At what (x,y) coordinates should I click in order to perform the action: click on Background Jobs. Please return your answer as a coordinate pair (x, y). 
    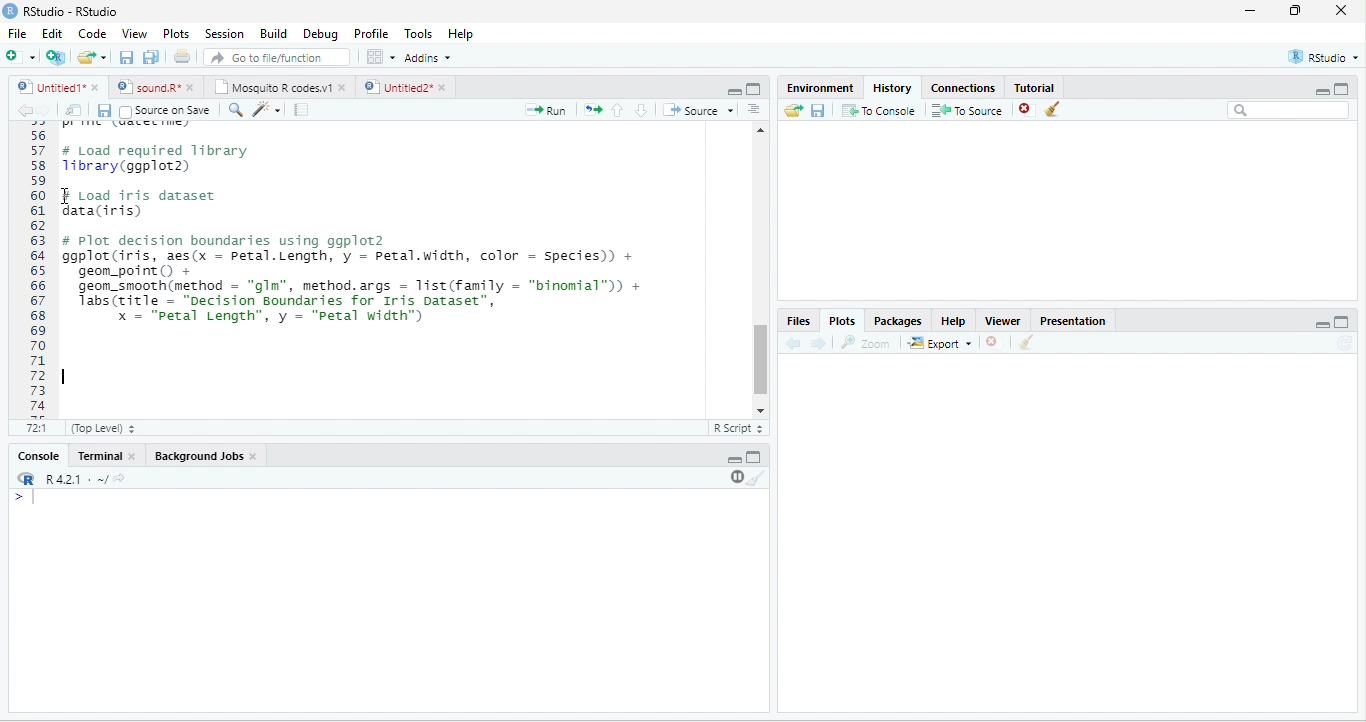
    Looking at the image, I should click on (197, 456).